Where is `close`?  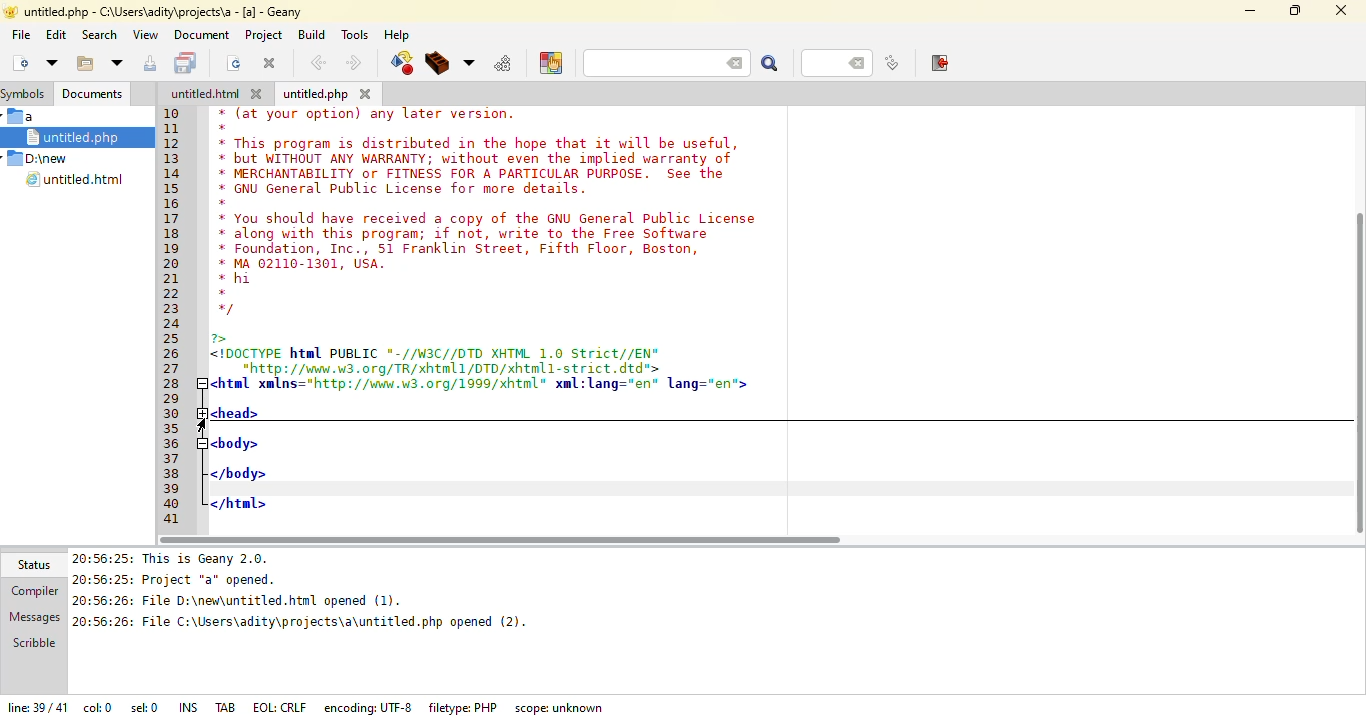 close is located at coordinates (271, 62).